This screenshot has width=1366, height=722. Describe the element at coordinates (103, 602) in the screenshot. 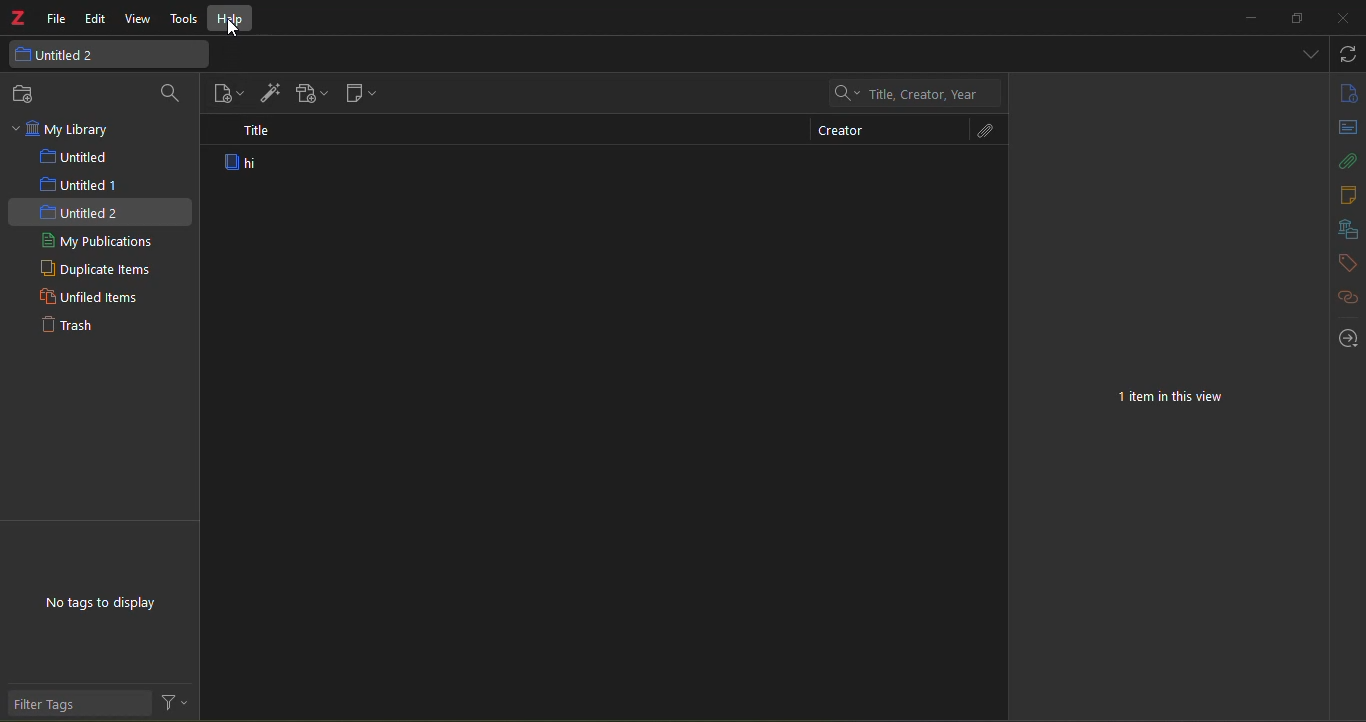

I see `no tags to display` at that location.